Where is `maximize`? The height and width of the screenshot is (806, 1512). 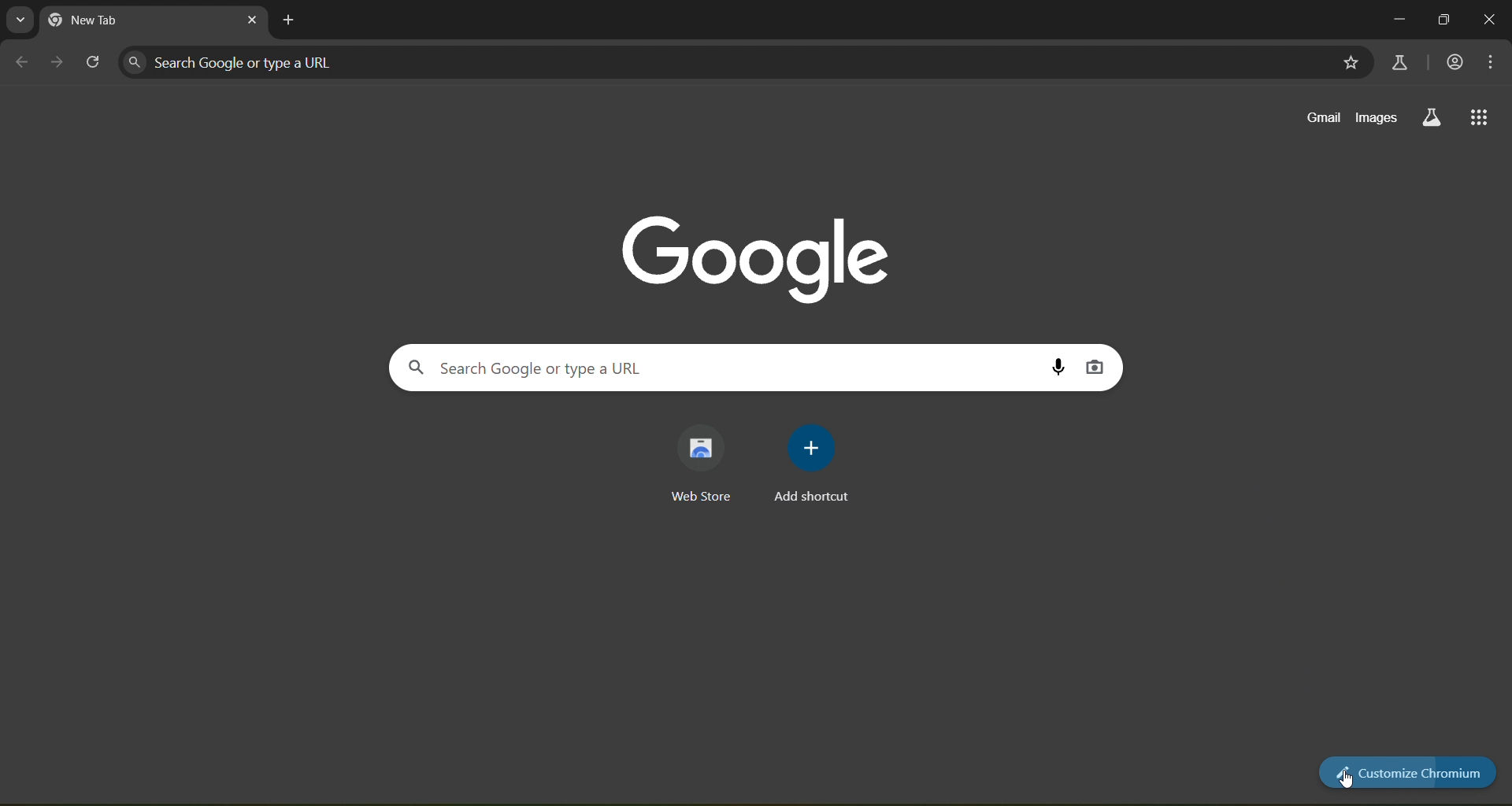
maximize is located at coordinates (1443, 20).